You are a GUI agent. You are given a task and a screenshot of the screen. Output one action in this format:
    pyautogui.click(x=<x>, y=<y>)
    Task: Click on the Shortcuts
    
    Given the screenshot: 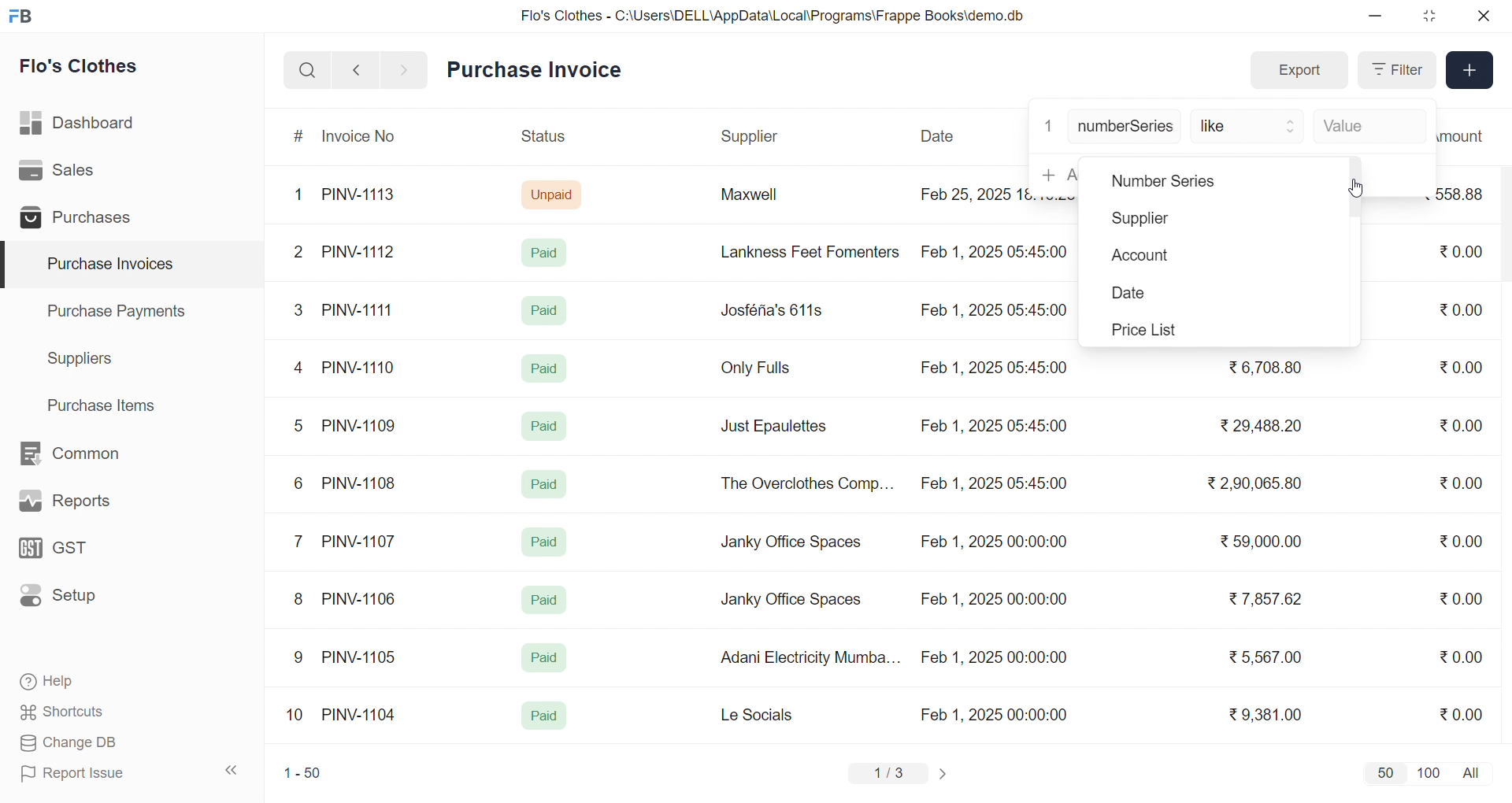 What is the action you would take?
    pyautogui.click(x=99, y=712)
    